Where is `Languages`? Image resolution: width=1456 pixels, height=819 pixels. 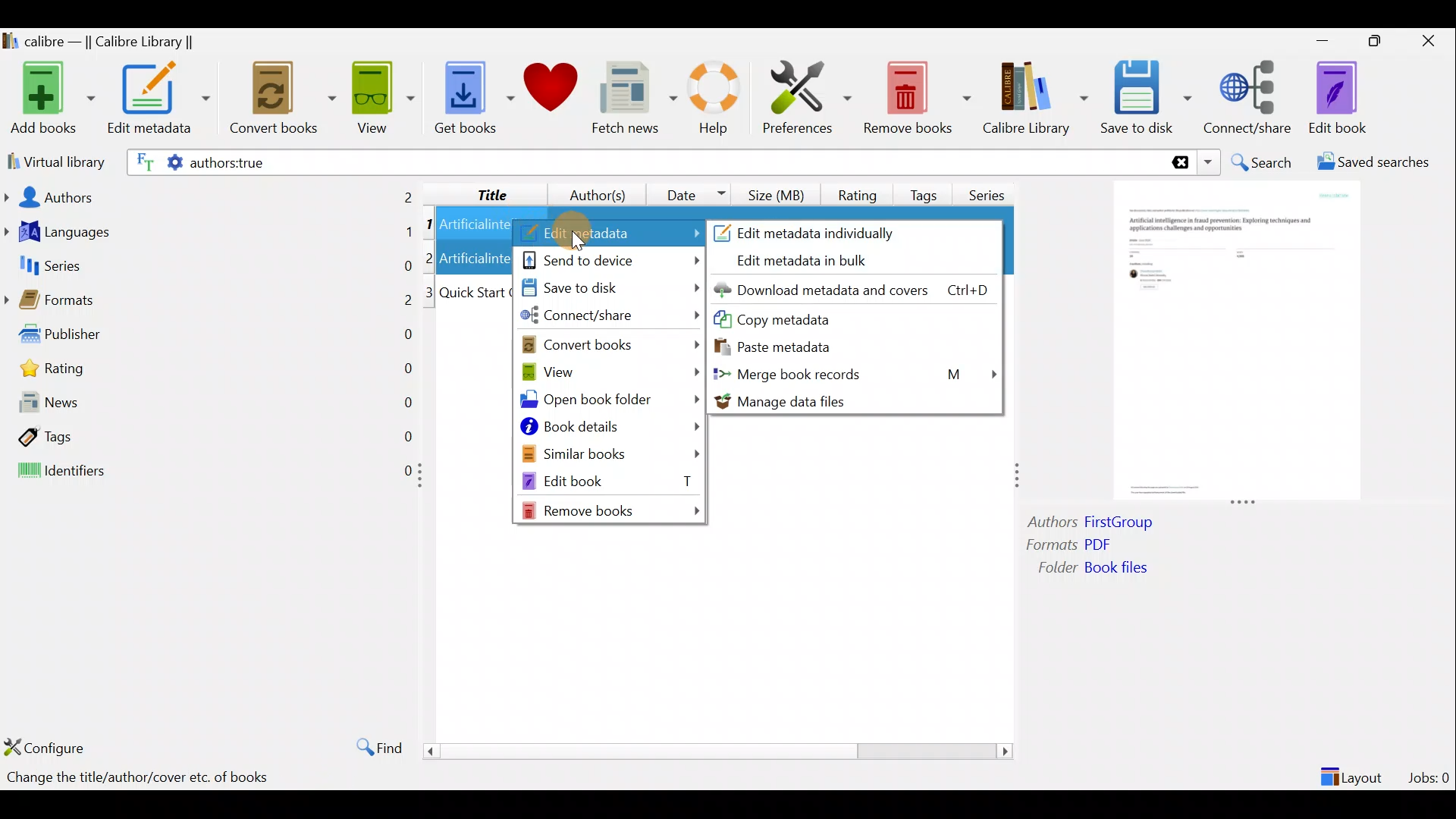
Languages is located at coordinates (209, 234).